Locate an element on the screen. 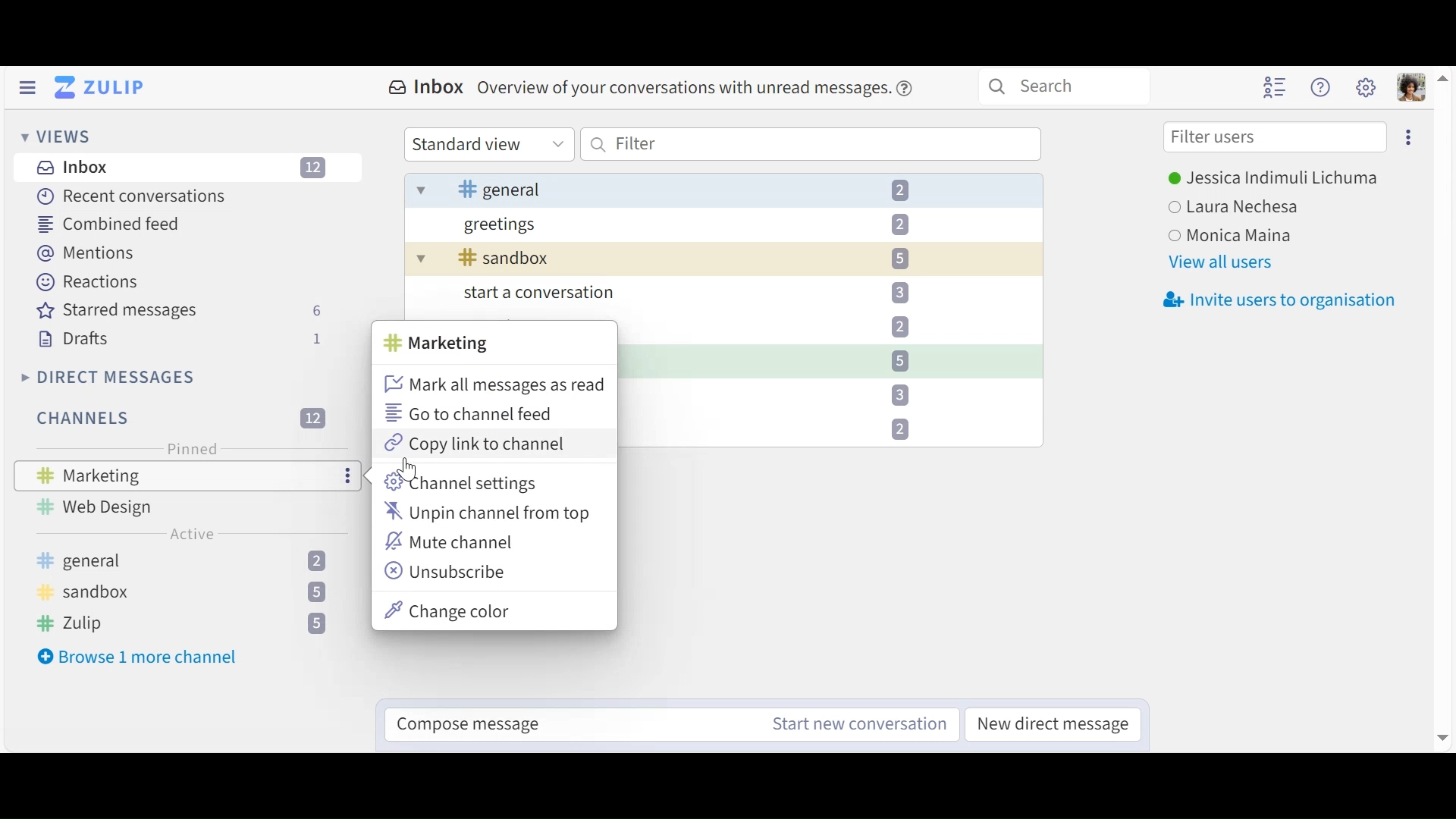 Image resolution: width=1456 pixels, height=819 pixels. Starred messages is located at coordinates (180, 311).